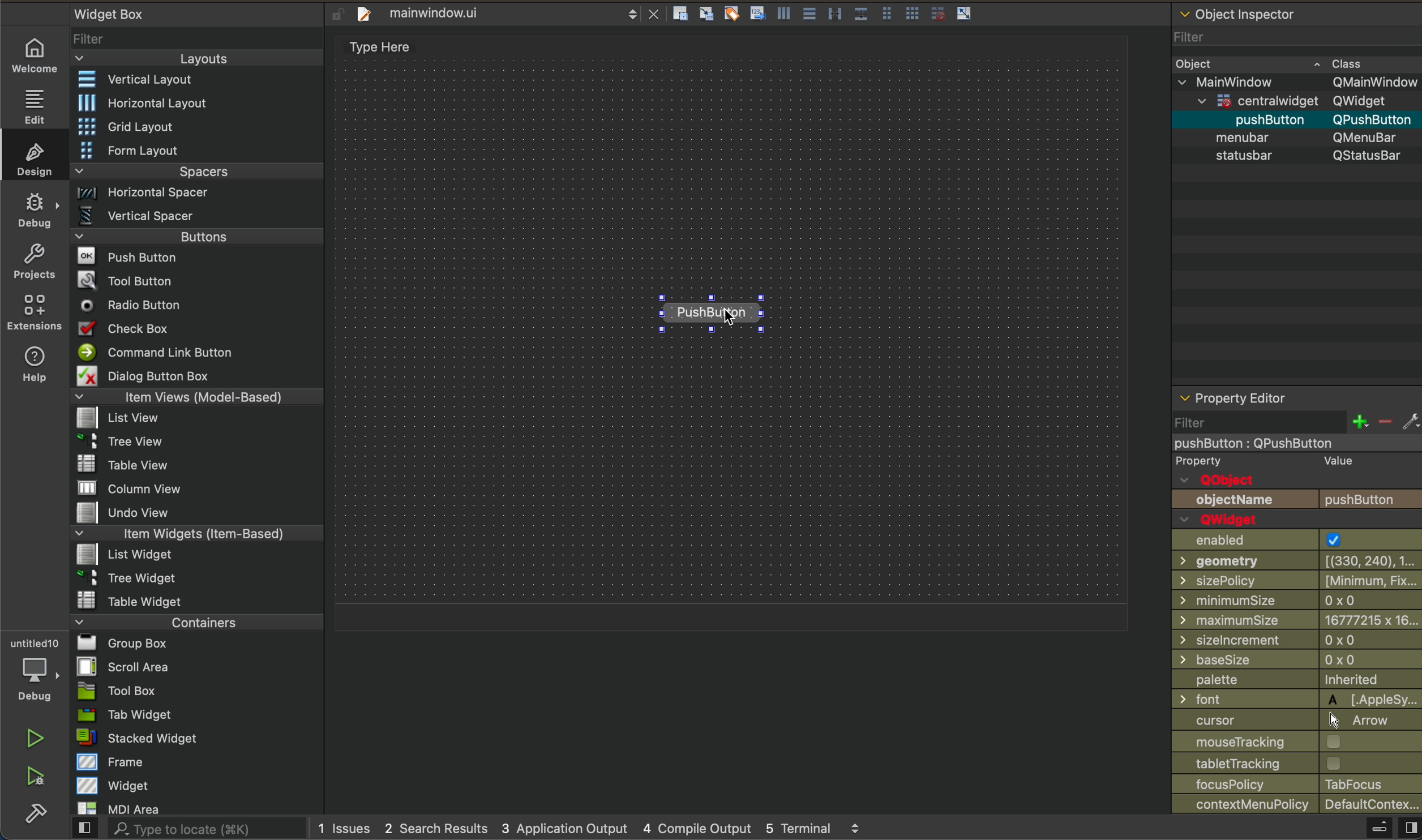  Describe the element at coordinates (195, 578) in the screenshot. I see `tree` at that location.